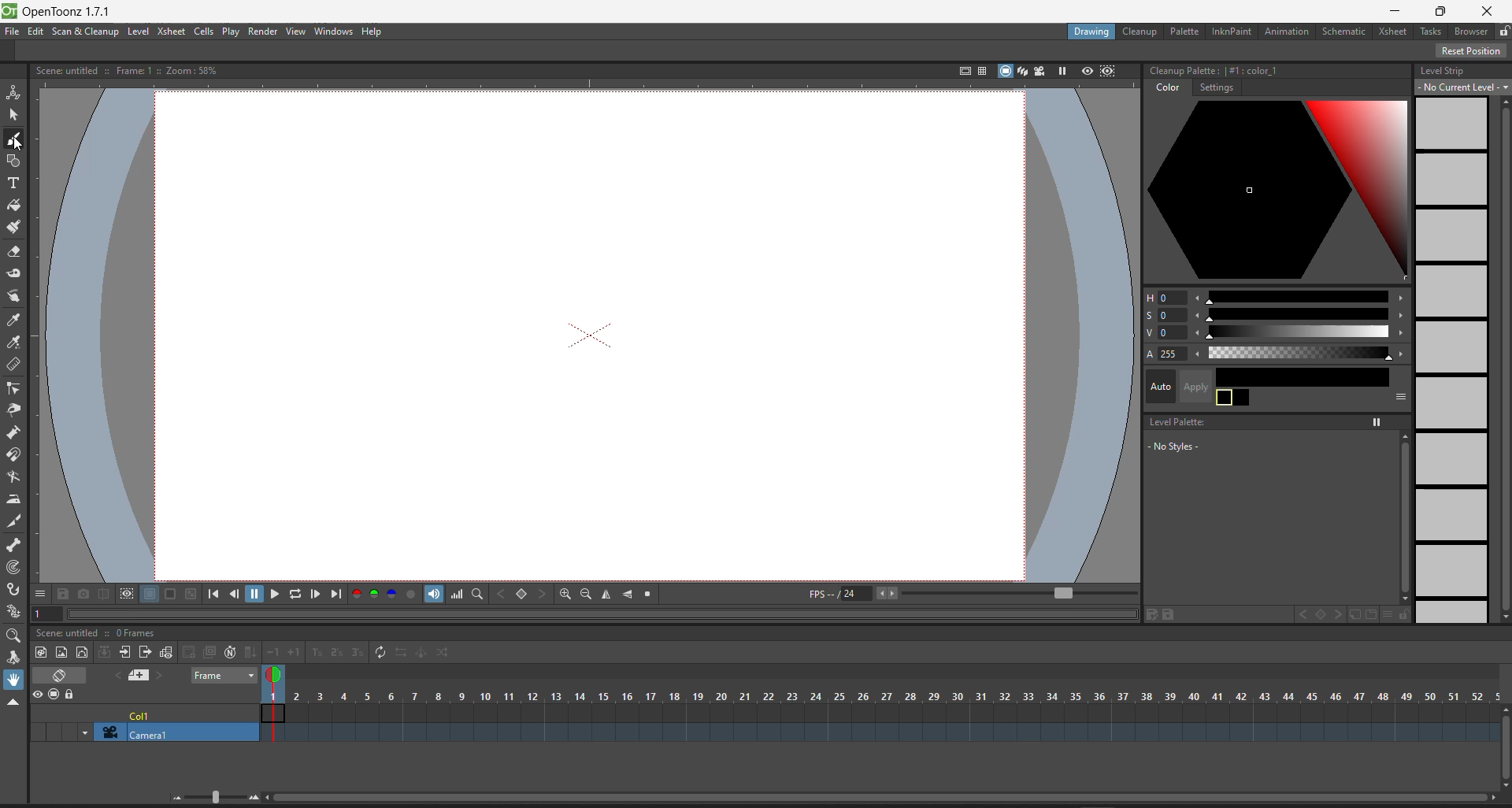 This screenshot has height=808, width=1512. Describe the element at coordinates (337, 595) in the screenshot. I see `last frame` at that location.